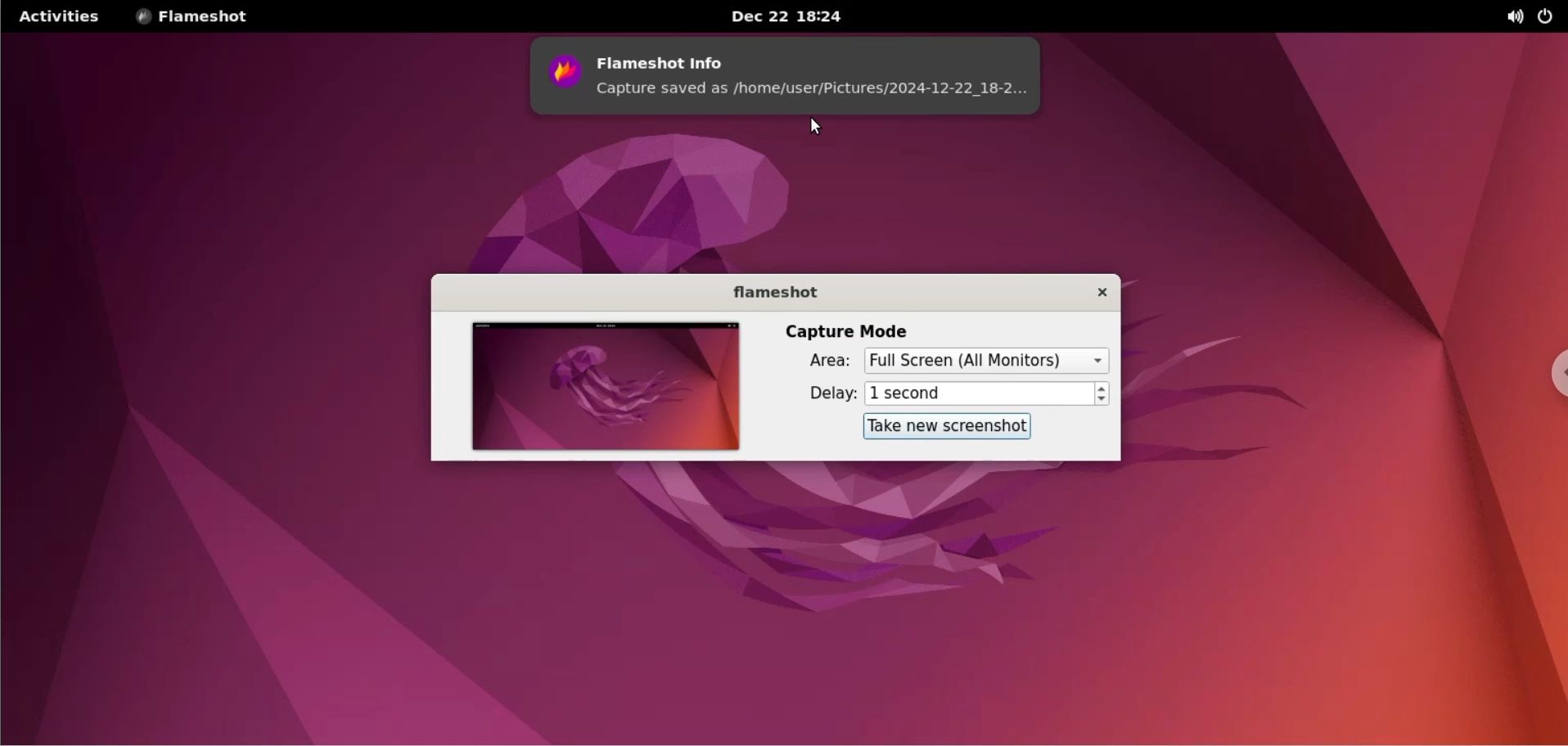  What do you see at coordinates (1098, 290) in the screenshot?
I see `close ` at bounding box center [1098, 290].